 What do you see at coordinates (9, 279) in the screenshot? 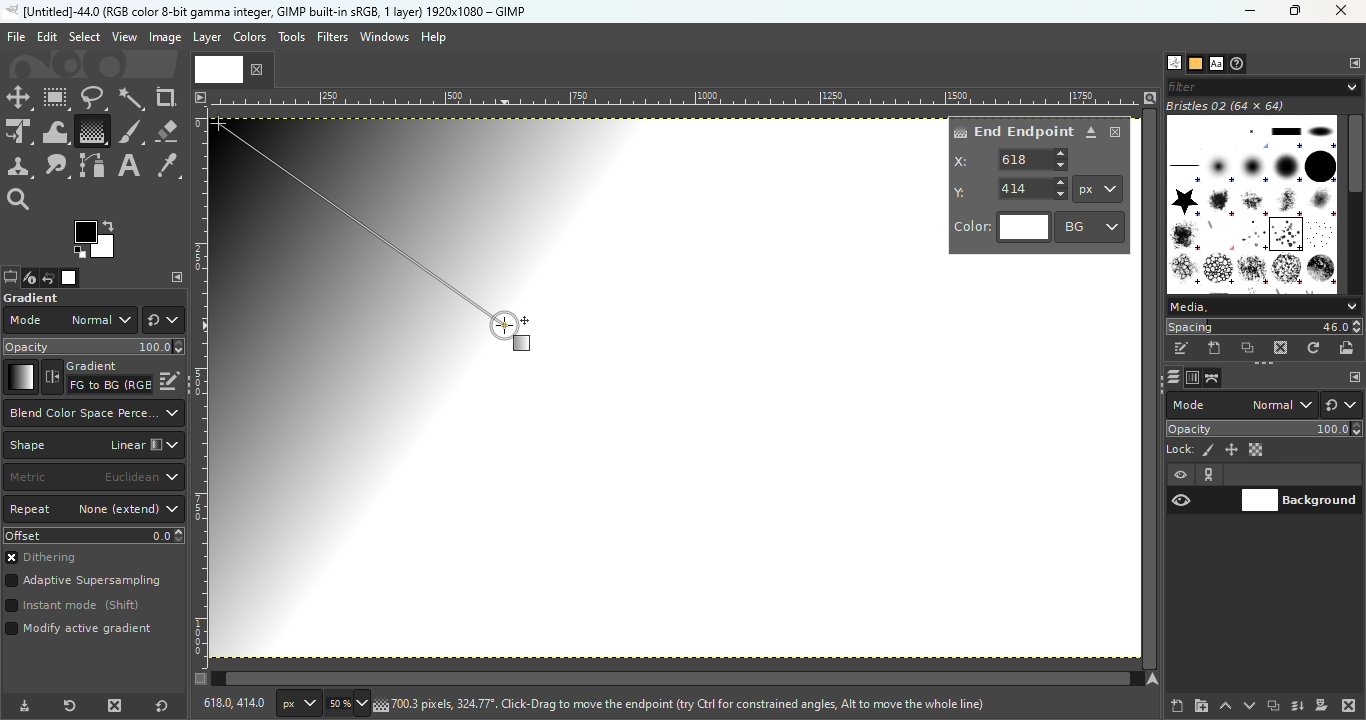
I see `Open the tools option dialog` at bounding box center [9, 279].